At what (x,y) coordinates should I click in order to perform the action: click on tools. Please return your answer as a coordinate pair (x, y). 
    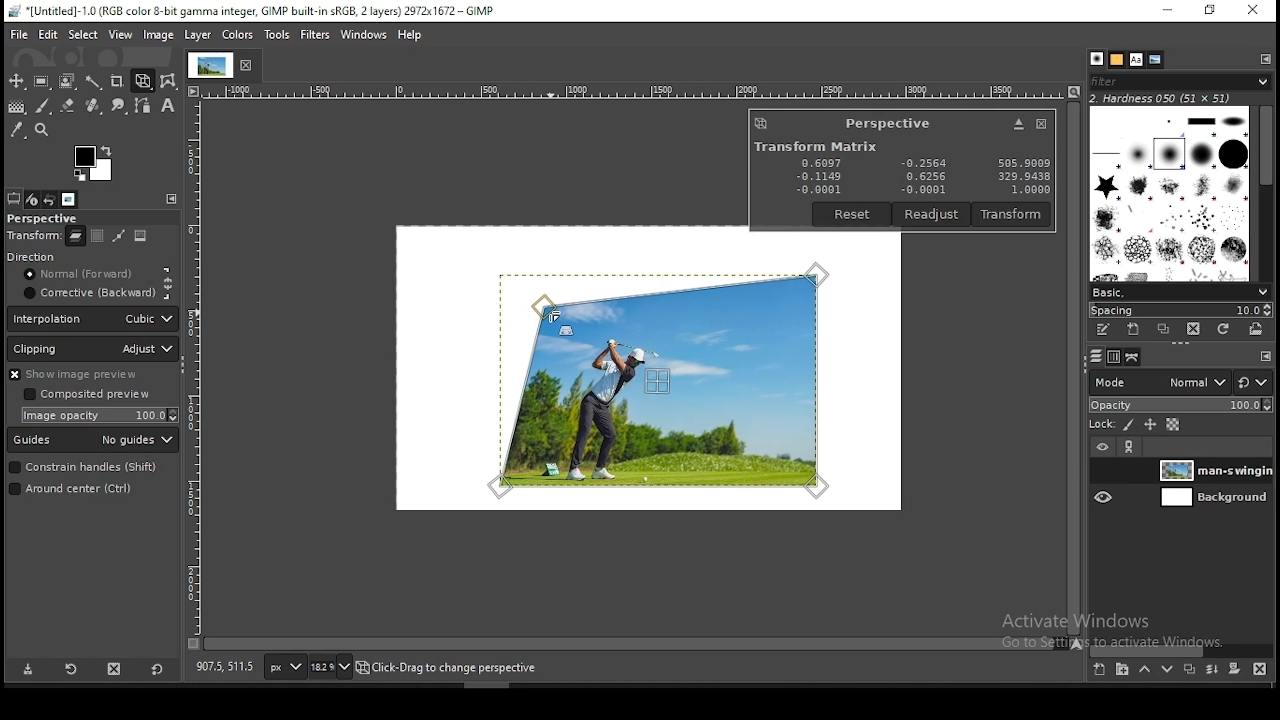
    Looking at the image, I should click on (277, 32).